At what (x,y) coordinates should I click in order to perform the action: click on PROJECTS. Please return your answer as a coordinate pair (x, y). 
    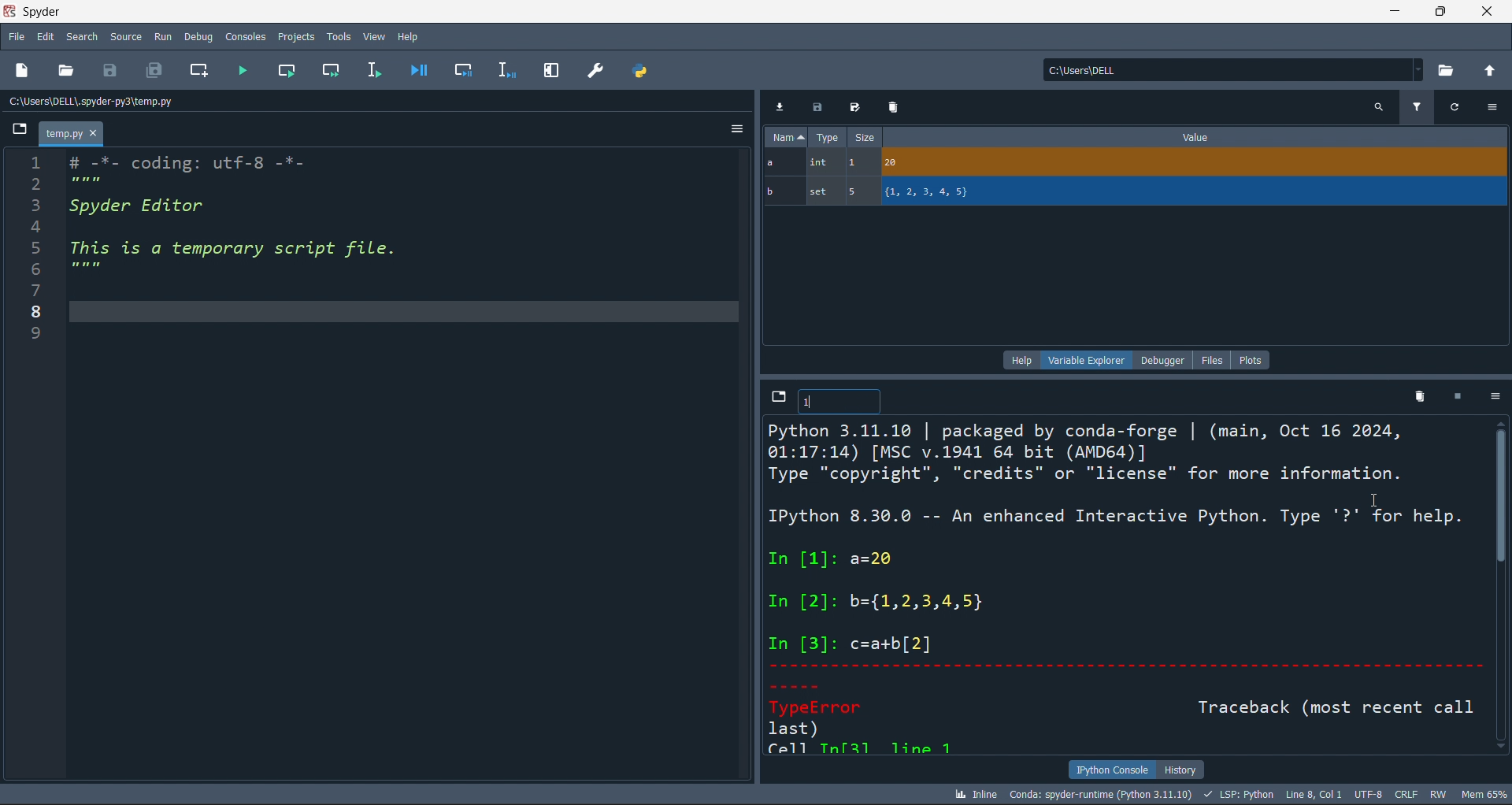
    Looking at the image, I should click on (296, 36).